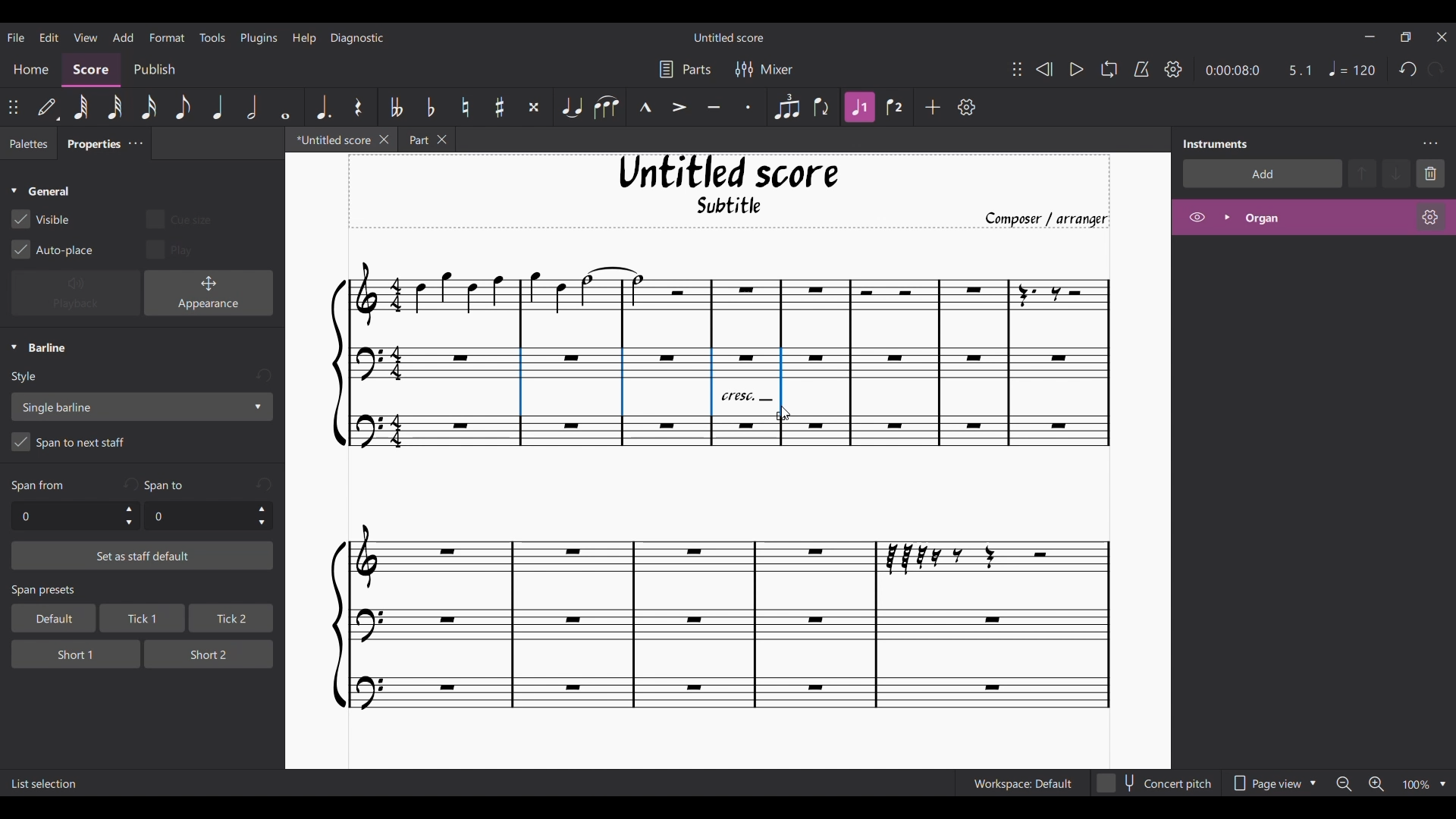 The image size is (1456, 819). I want to click on Diagnostic menu, so click(358, 37).